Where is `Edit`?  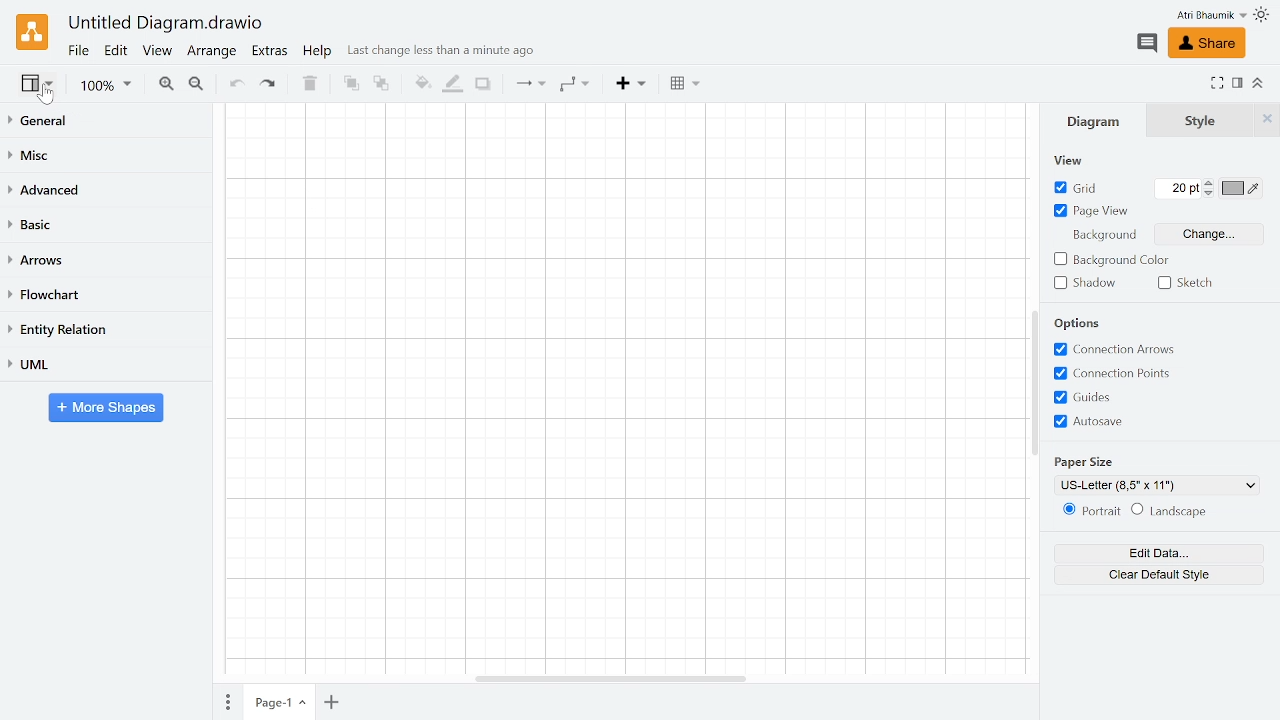
Edit is located at coordinates (115, 52).